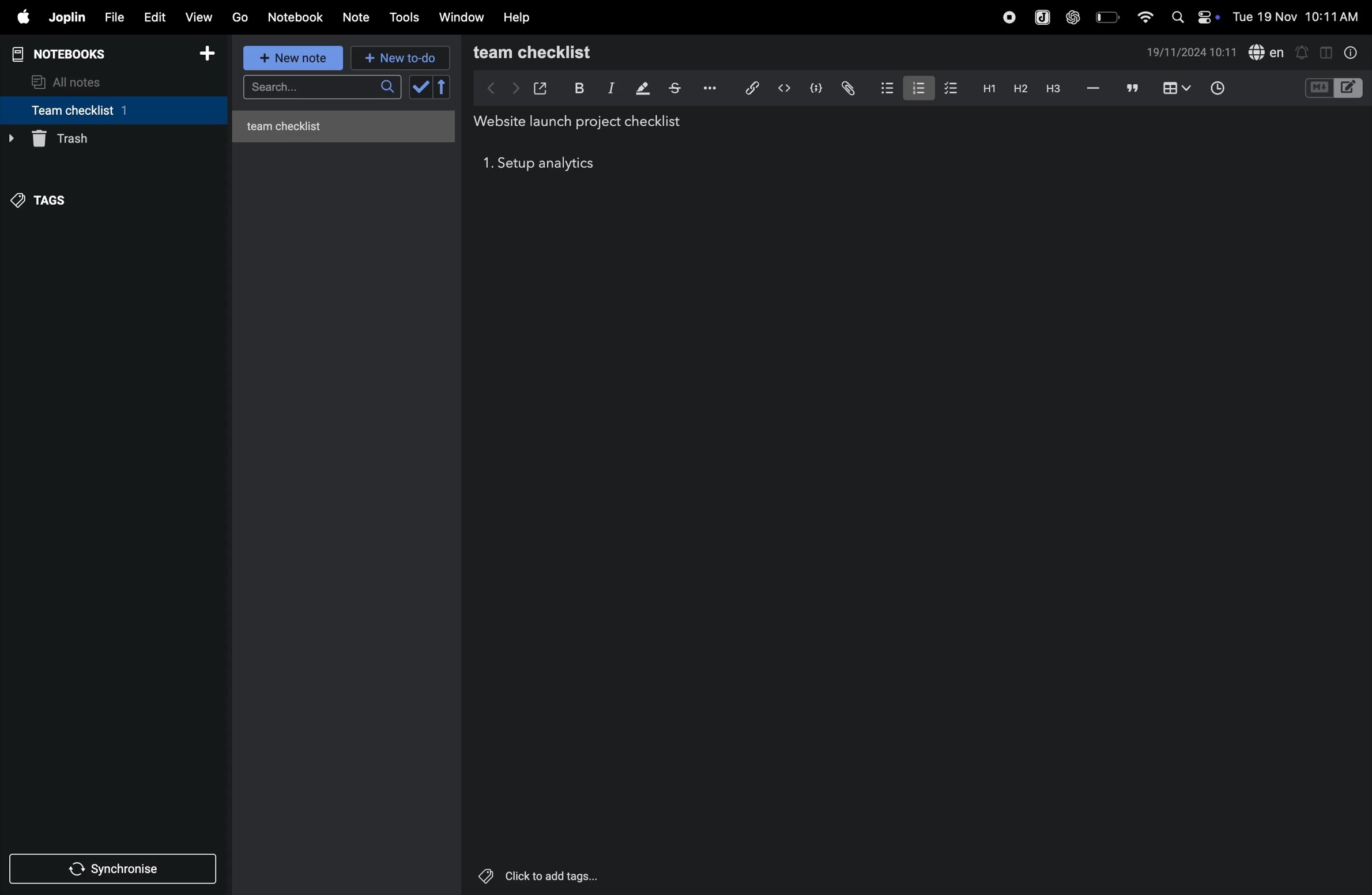 This screenshot has width=1372, height=895. Describe the element at coordinates (1092, 88) in the screenshot. I see `hifen` at that location.